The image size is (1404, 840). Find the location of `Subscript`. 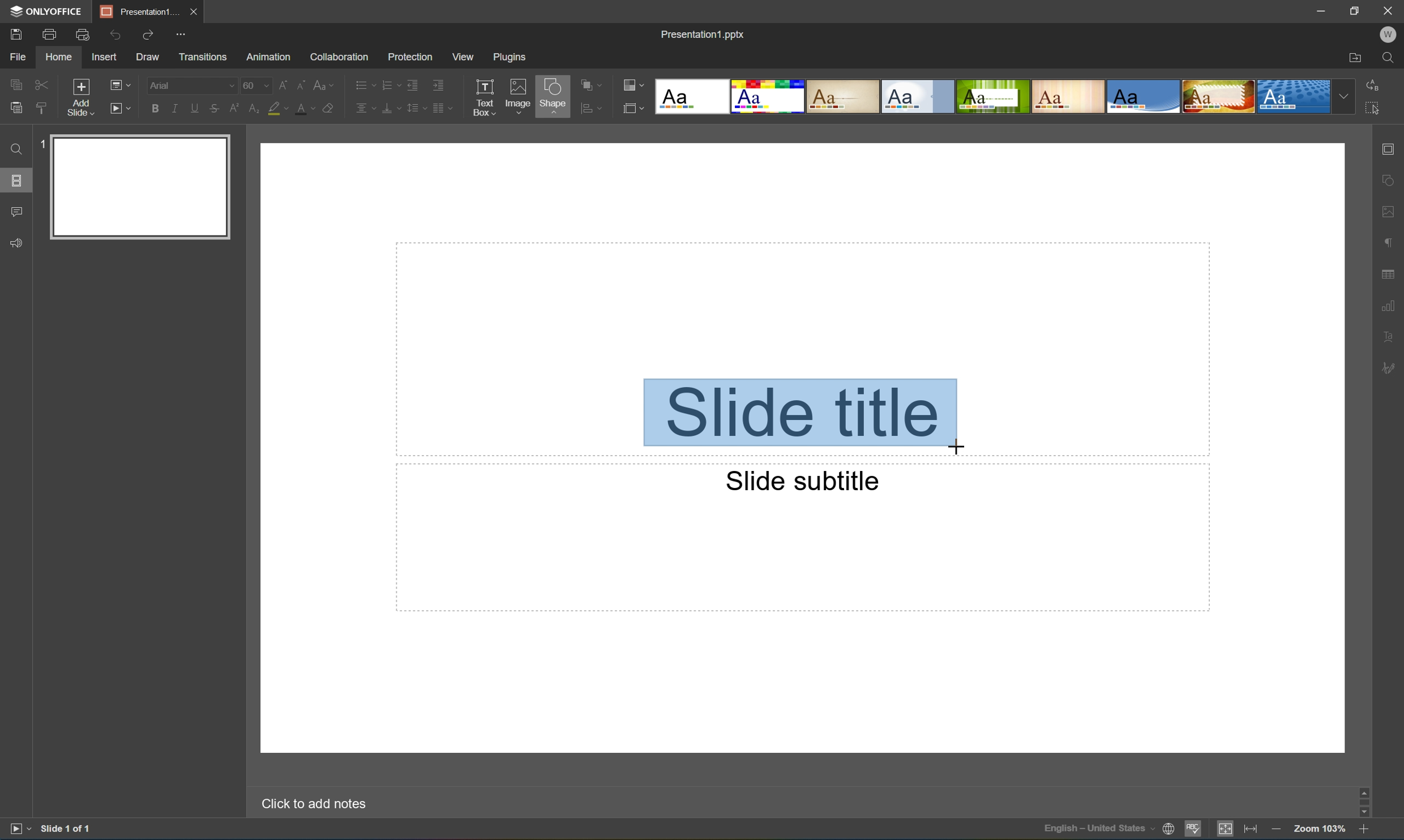

Subscript is located at coordinates (250, 109).